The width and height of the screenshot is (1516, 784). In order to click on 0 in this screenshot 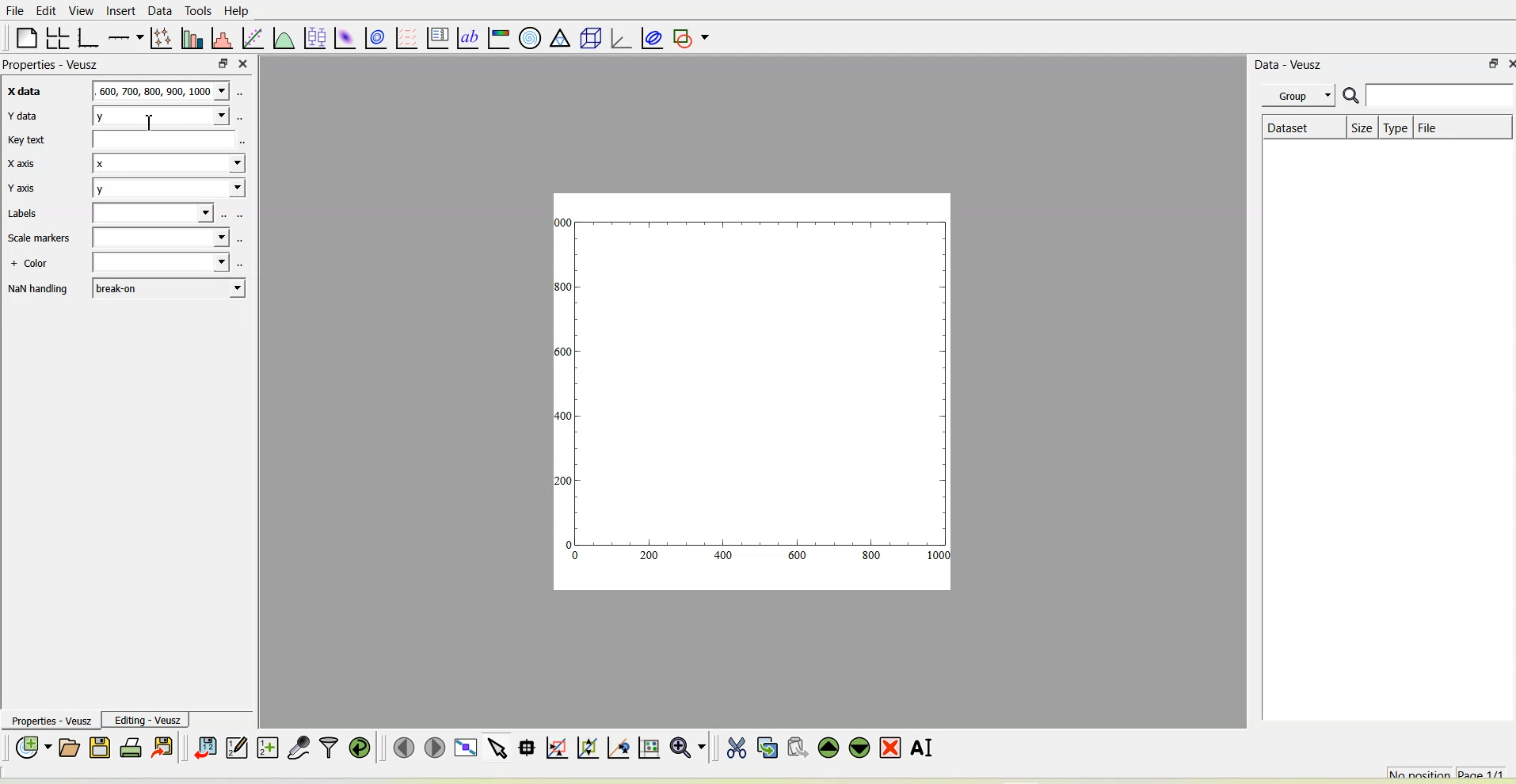, I will do `click(577, 558)`.